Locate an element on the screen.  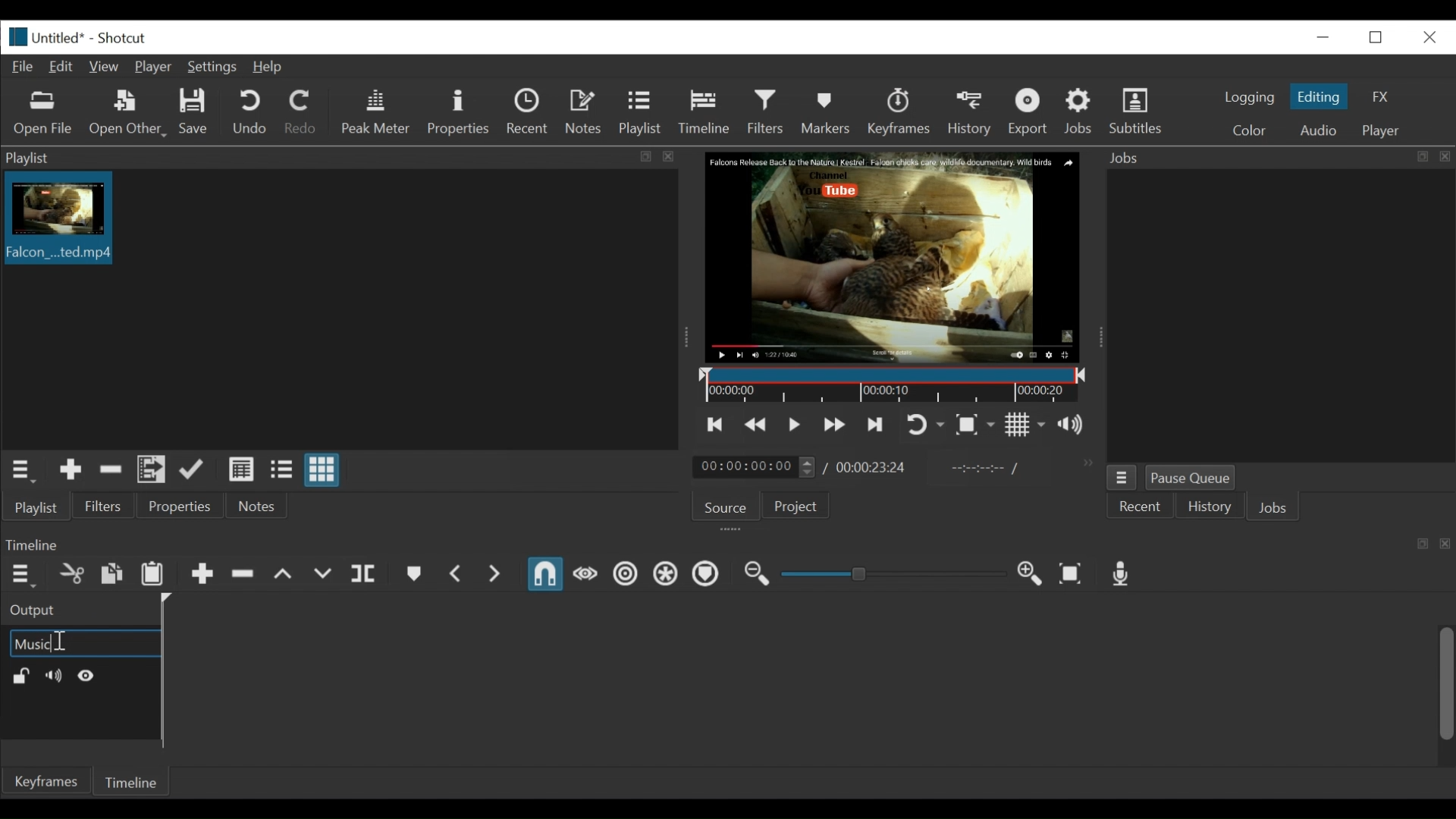
Media Viewer is located at coordinates (893, 259).